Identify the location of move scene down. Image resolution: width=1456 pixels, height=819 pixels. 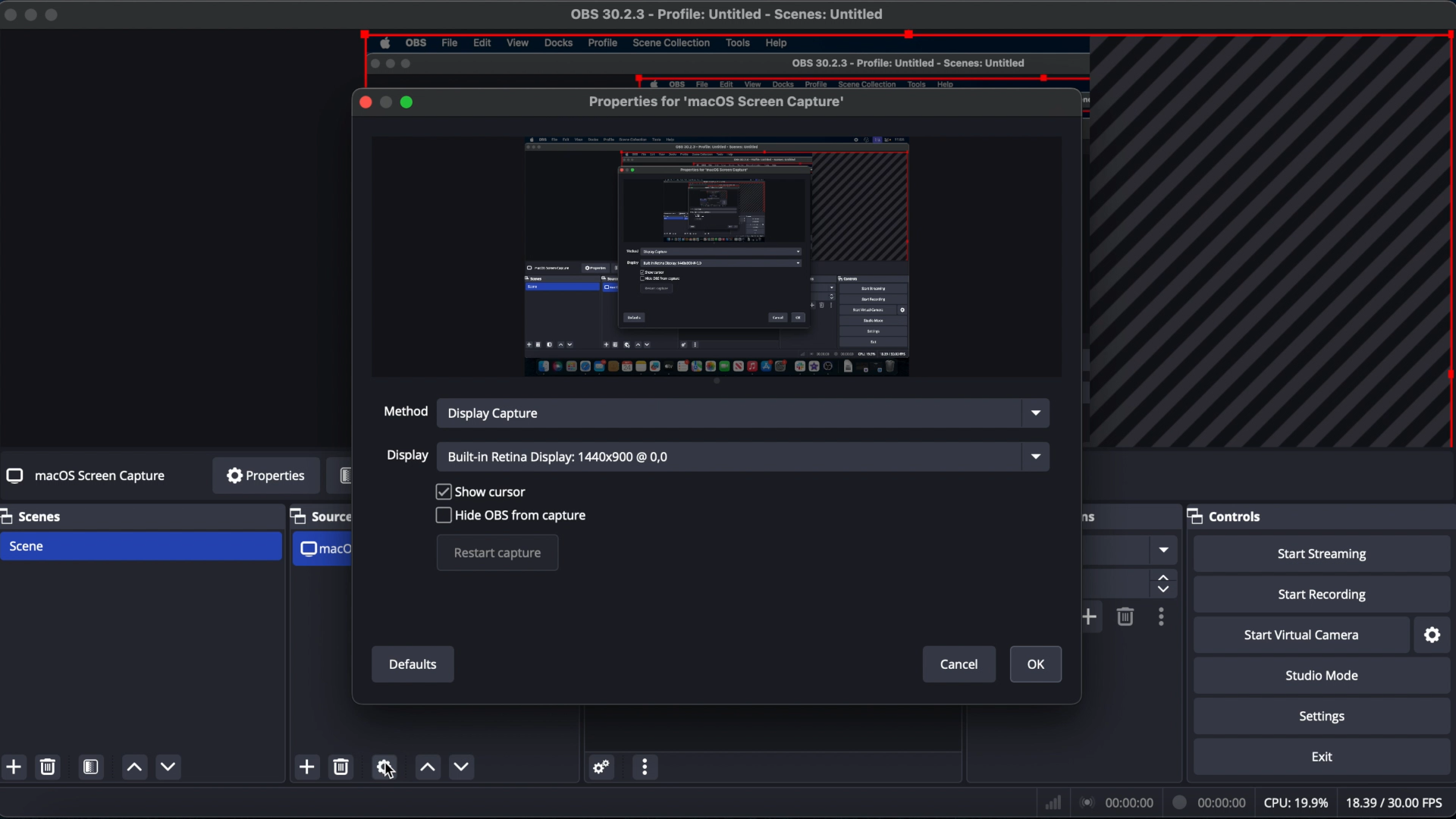
(168, 766).